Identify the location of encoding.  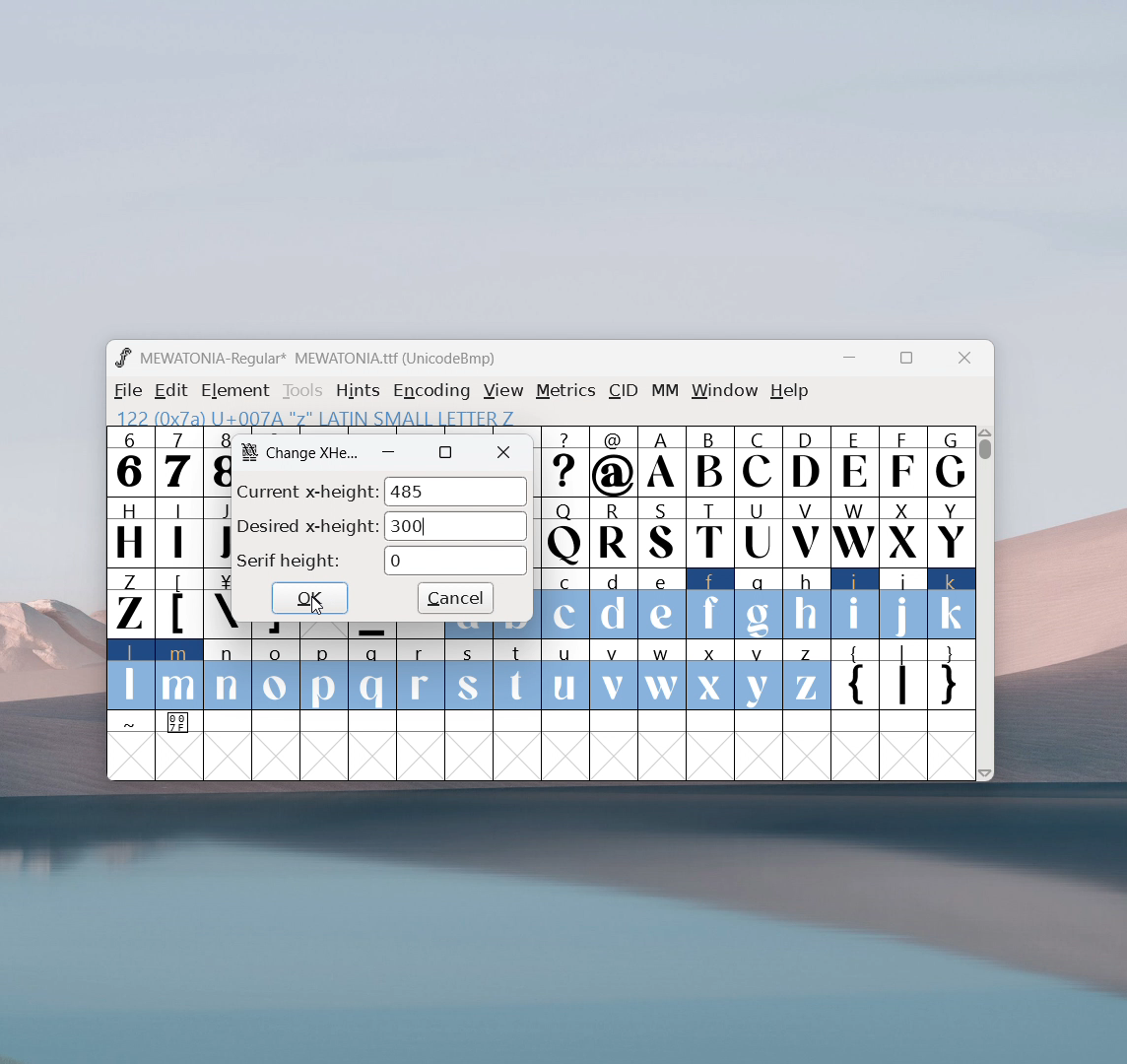
(431, 389).